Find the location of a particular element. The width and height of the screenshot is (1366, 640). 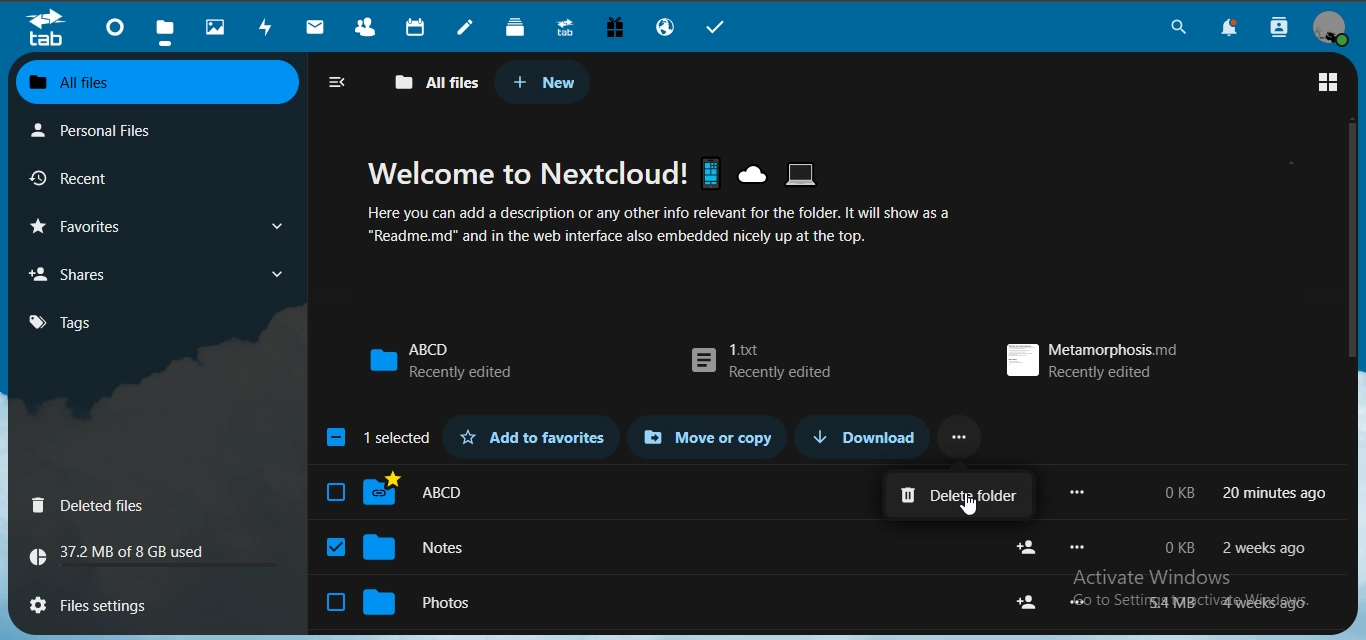

notes is located at coordinates (410, 549).